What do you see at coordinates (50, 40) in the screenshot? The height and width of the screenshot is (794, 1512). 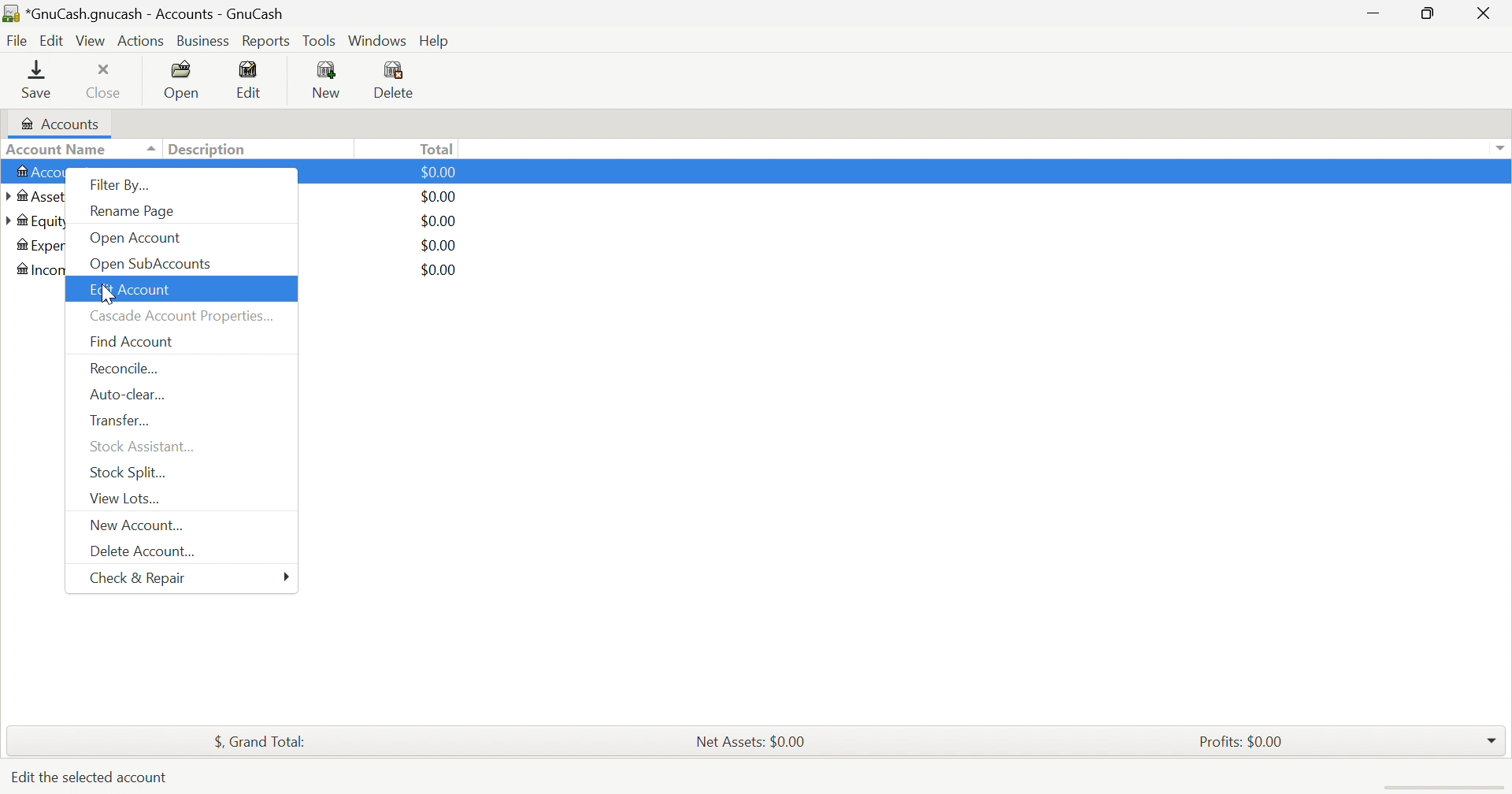 I see `Edit` at bounding box center [50, 40].